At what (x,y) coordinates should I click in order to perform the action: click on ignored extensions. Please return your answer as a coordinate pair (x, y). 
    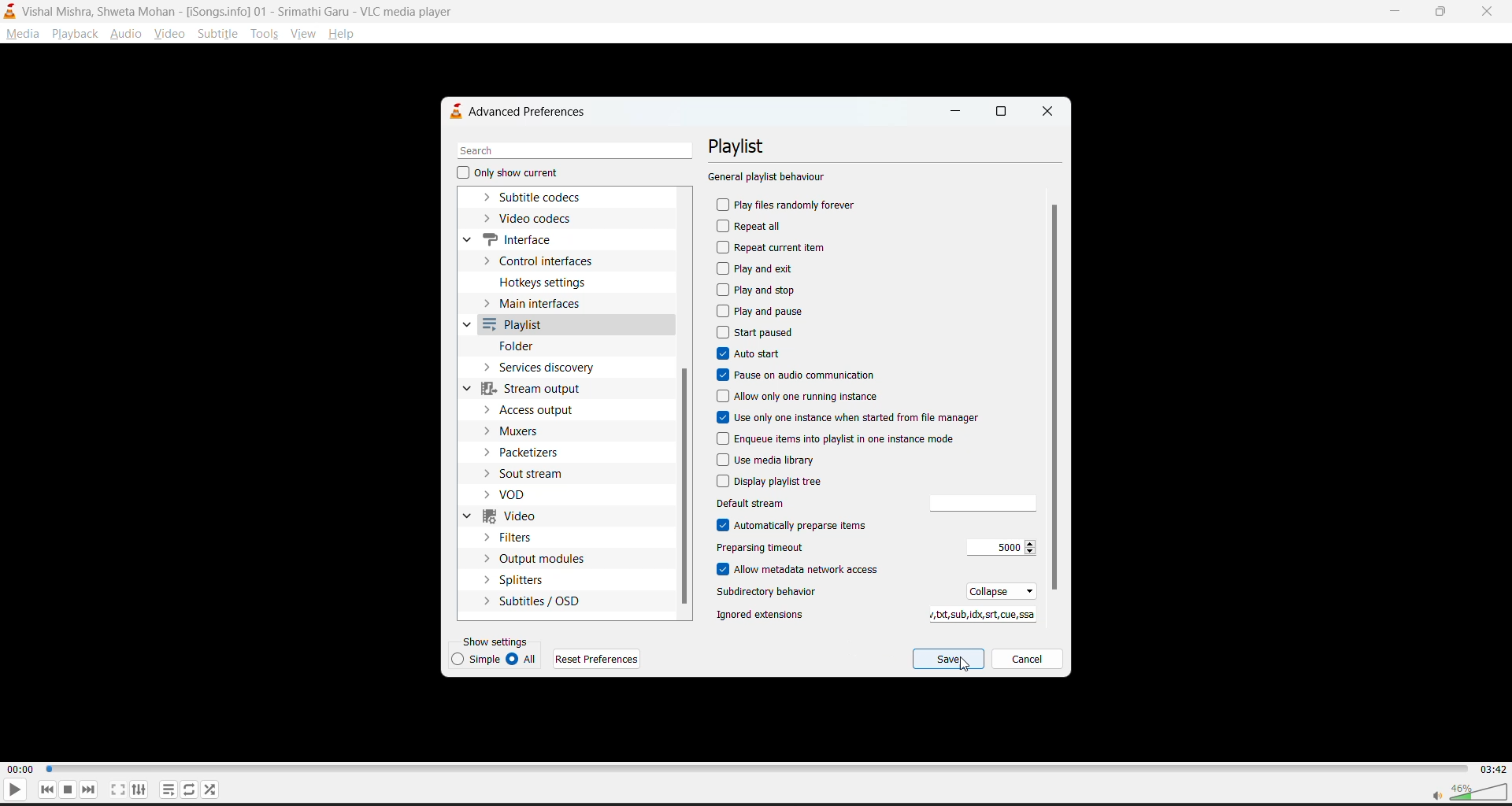
    Looking at the image, I should click on (875, 617).